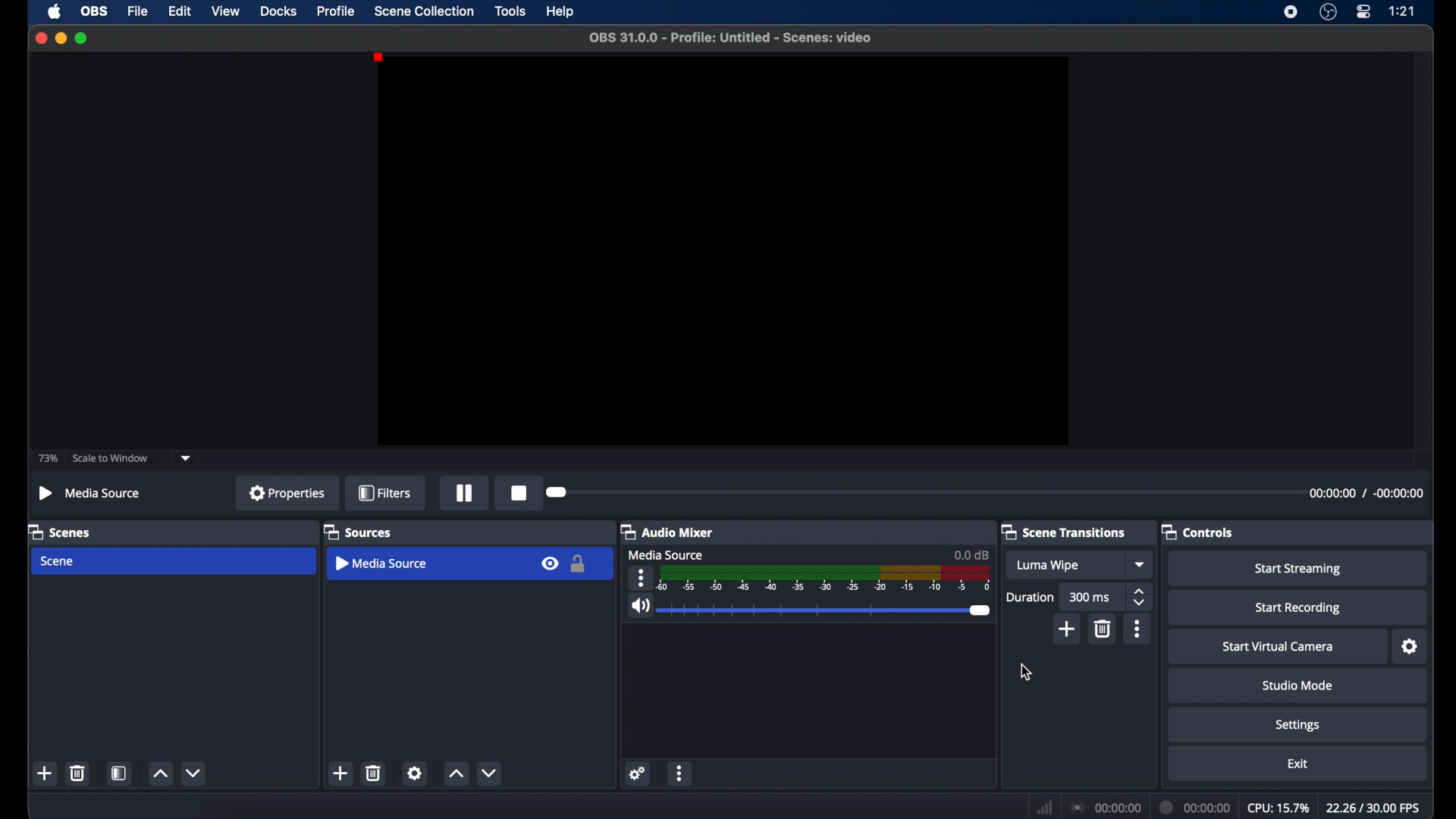 The image size is (1456, 819). Describe the element at coordinates (579, 565) in the screenshot. I see `lock icon` at that location.